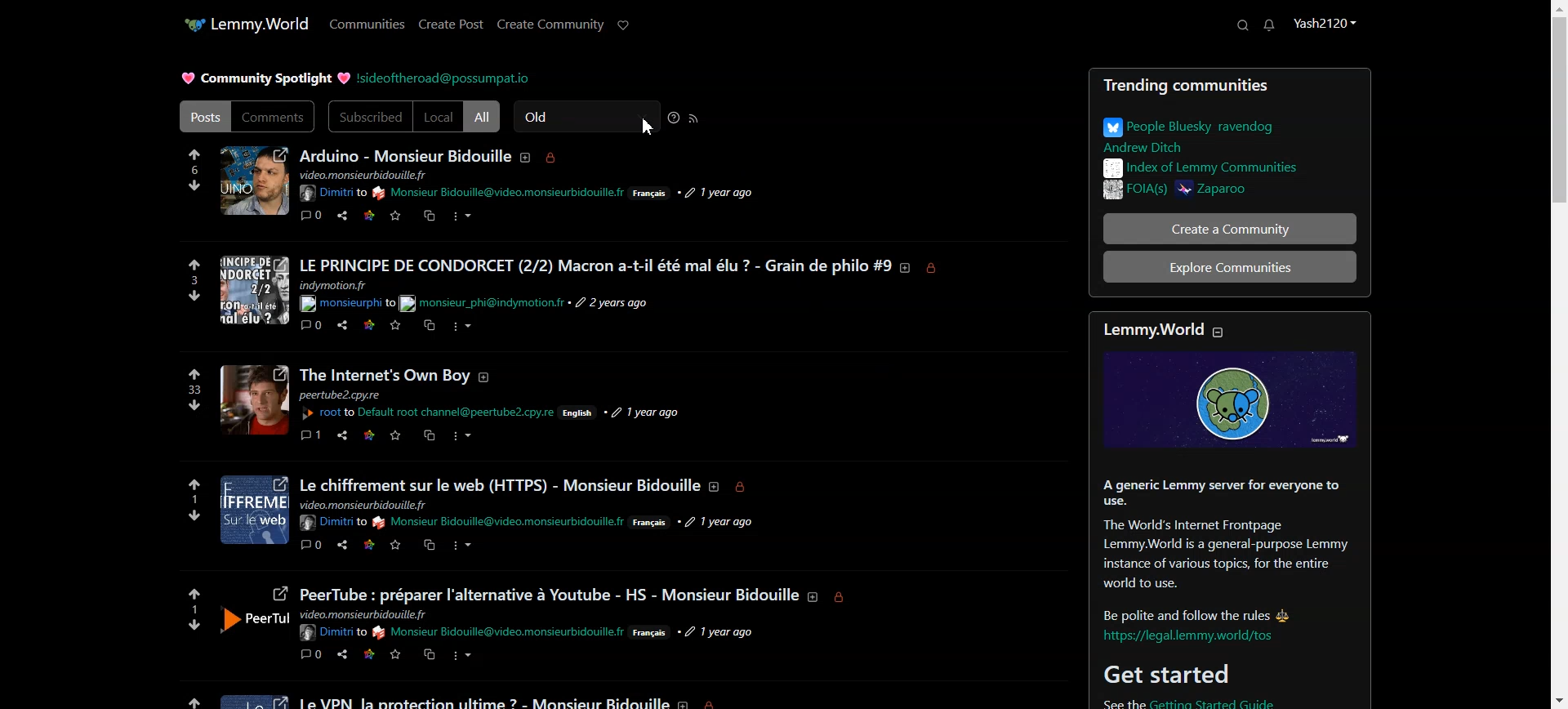 The width and height of the screenshot is (1568, 709). What do you see at coordinates (1219, 228) in the screenshot?
I see `Create a Community` at bounding box center [1219, 228].